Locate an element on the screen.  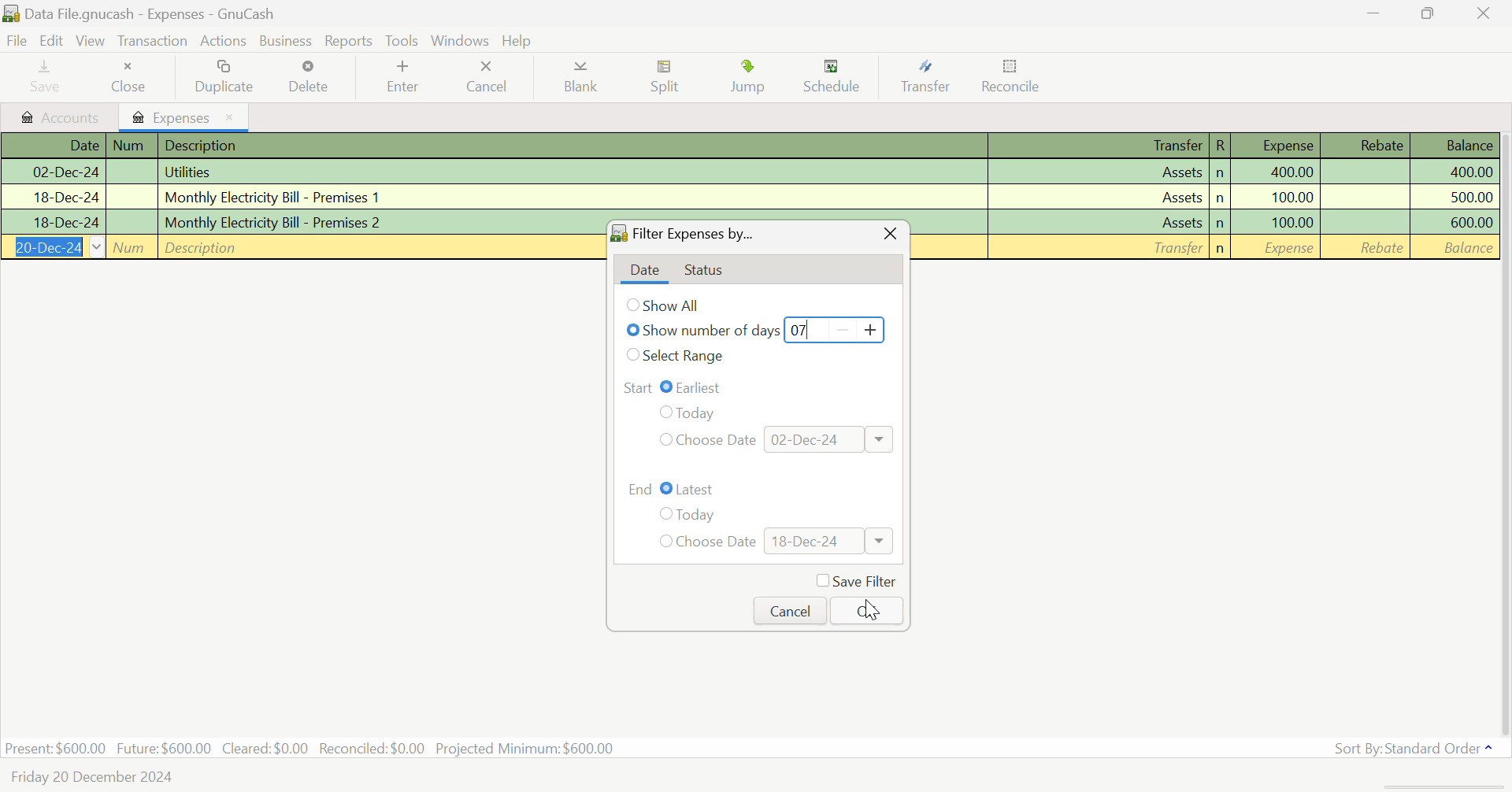
Reconcile is located at coordinates (1014, 80).